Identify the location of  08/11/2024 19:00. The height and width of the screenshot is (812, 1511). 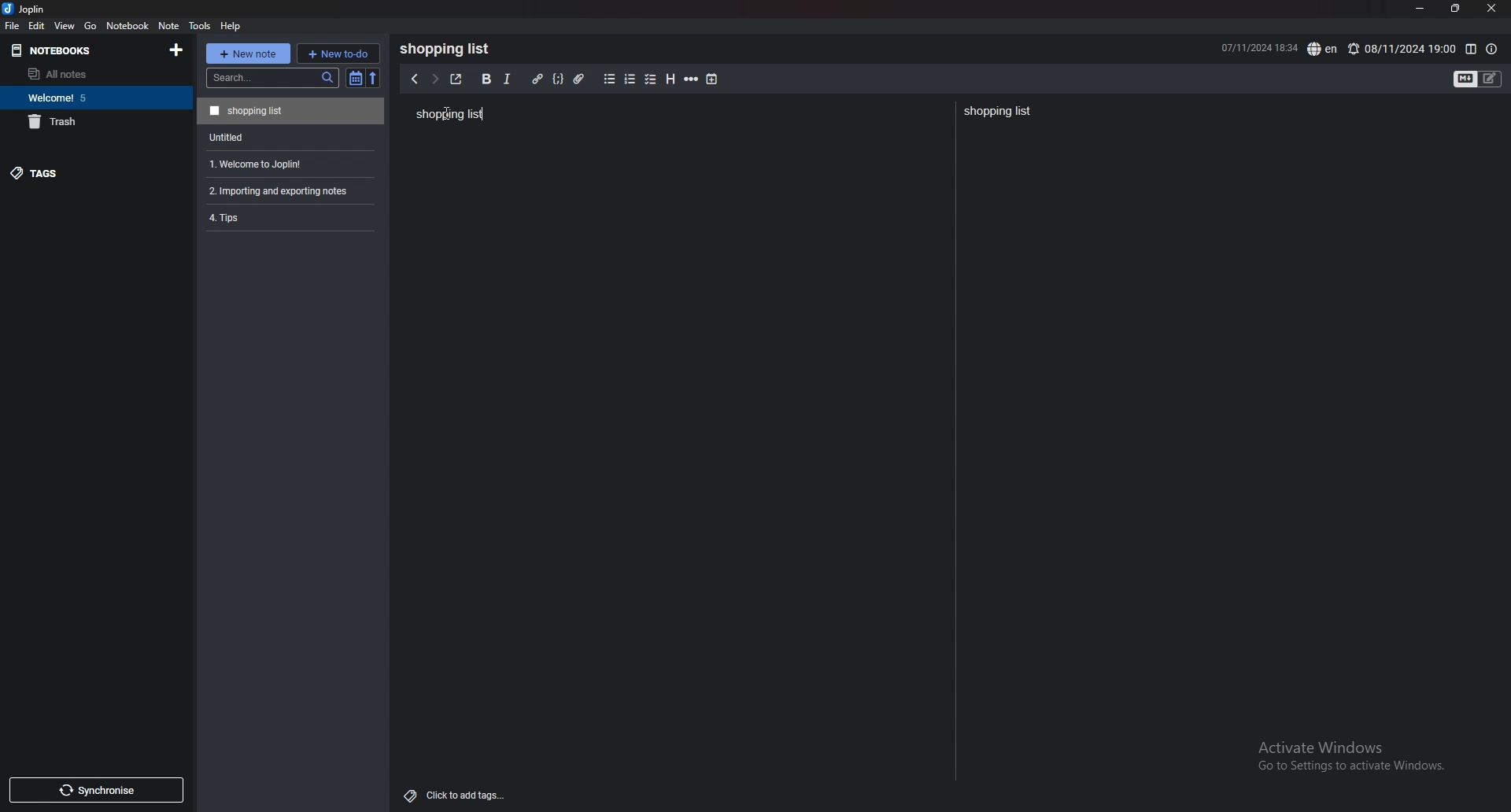
(1401, 49).